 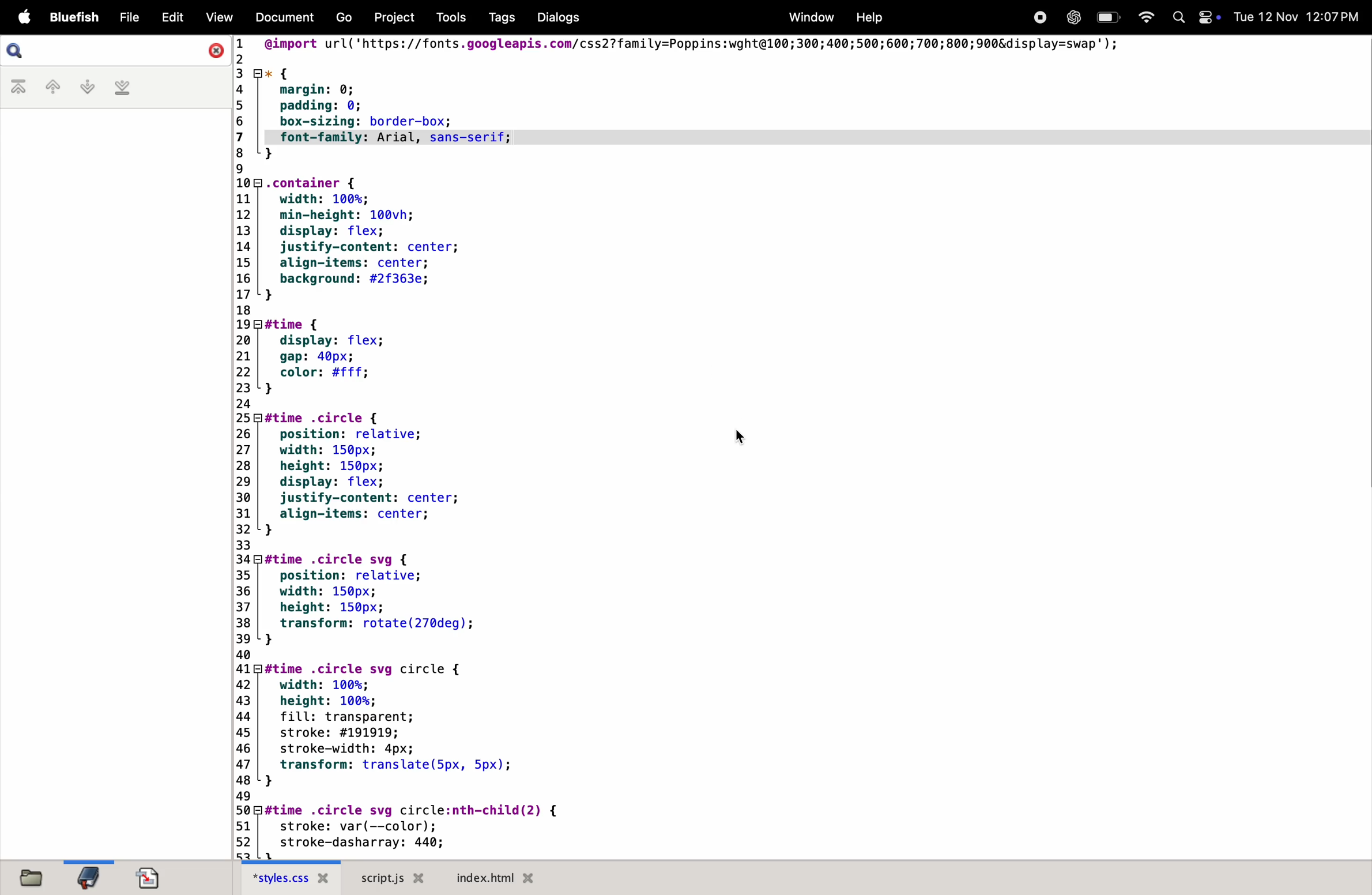 I want to click on battery, so click(x=1107, y=17).